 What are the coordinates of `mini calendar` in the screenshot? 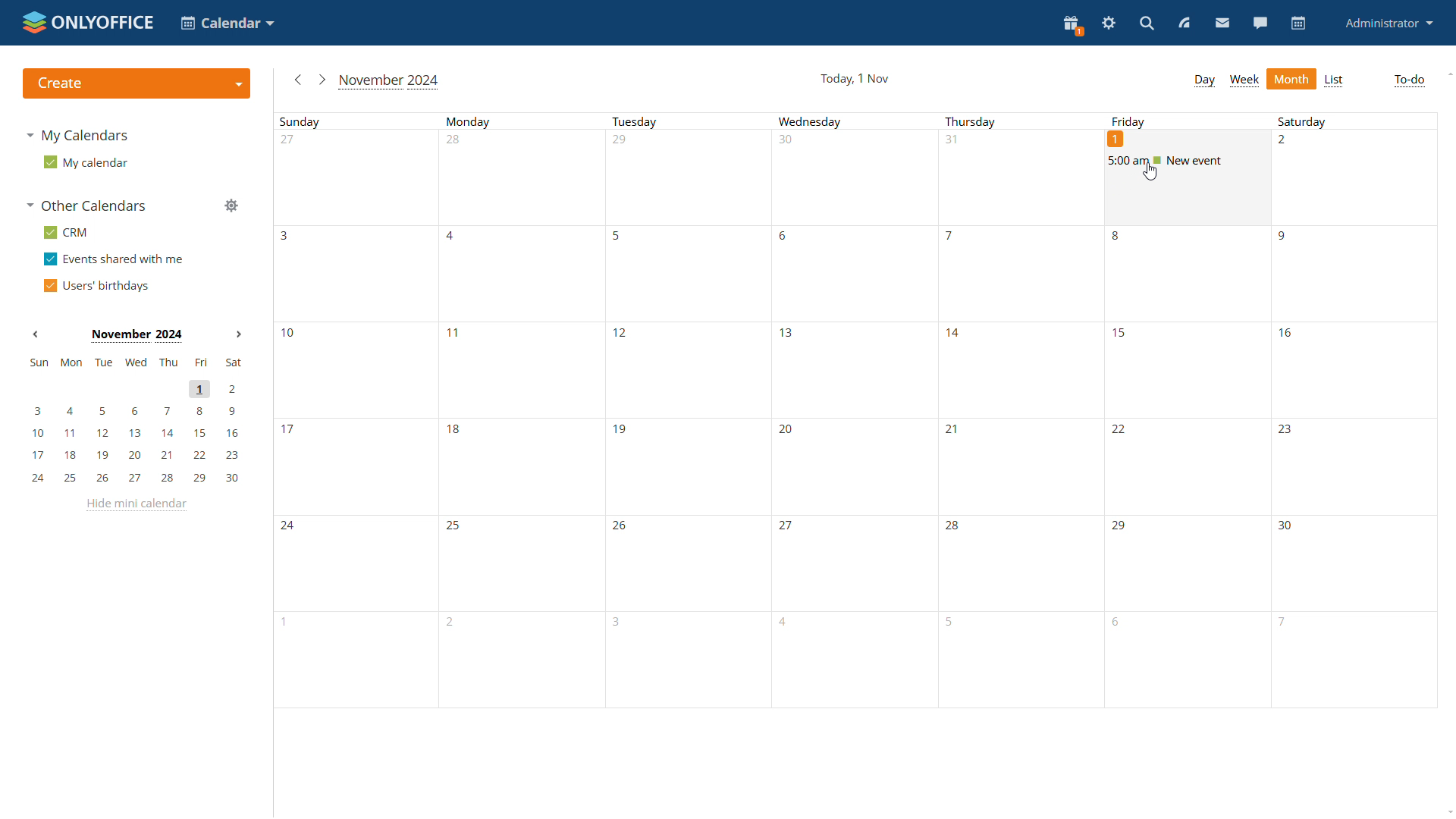 It's located at (135, 420).